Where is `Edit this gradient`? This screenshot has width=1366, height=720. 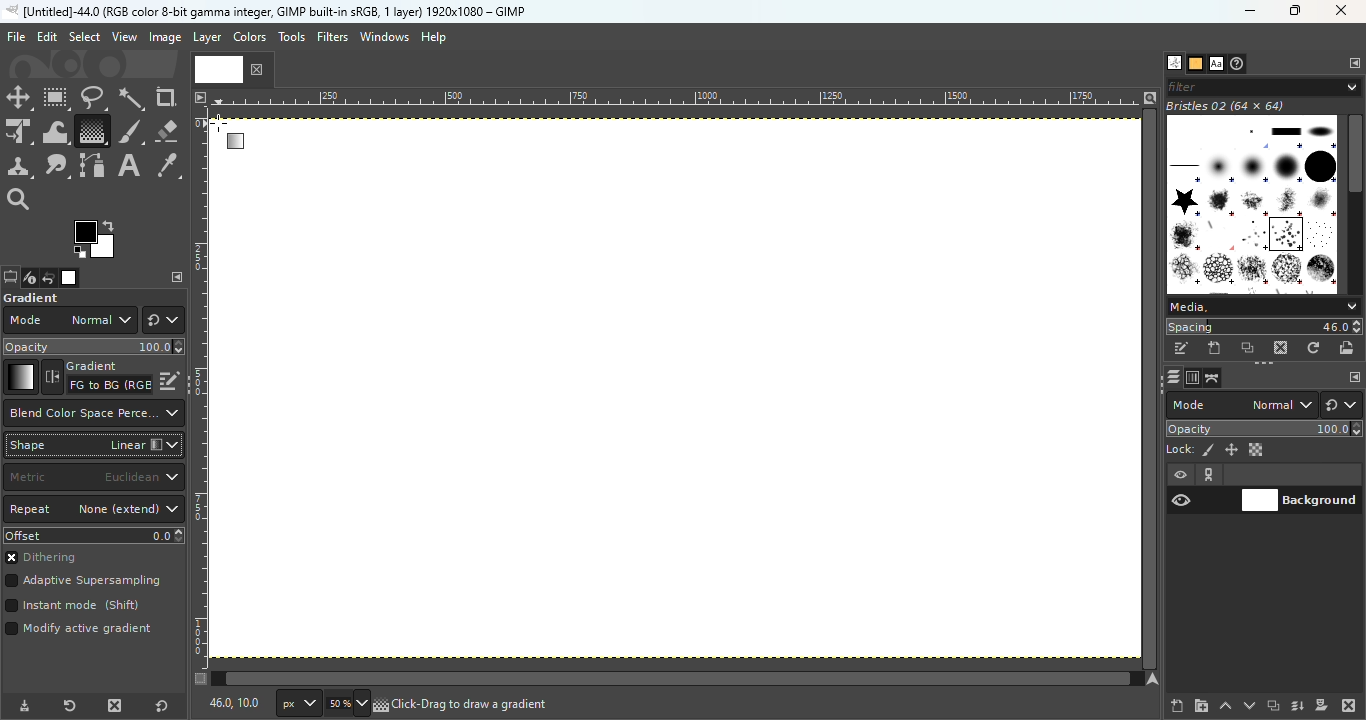
Edit this gradient is located at coordinates (170, 379).